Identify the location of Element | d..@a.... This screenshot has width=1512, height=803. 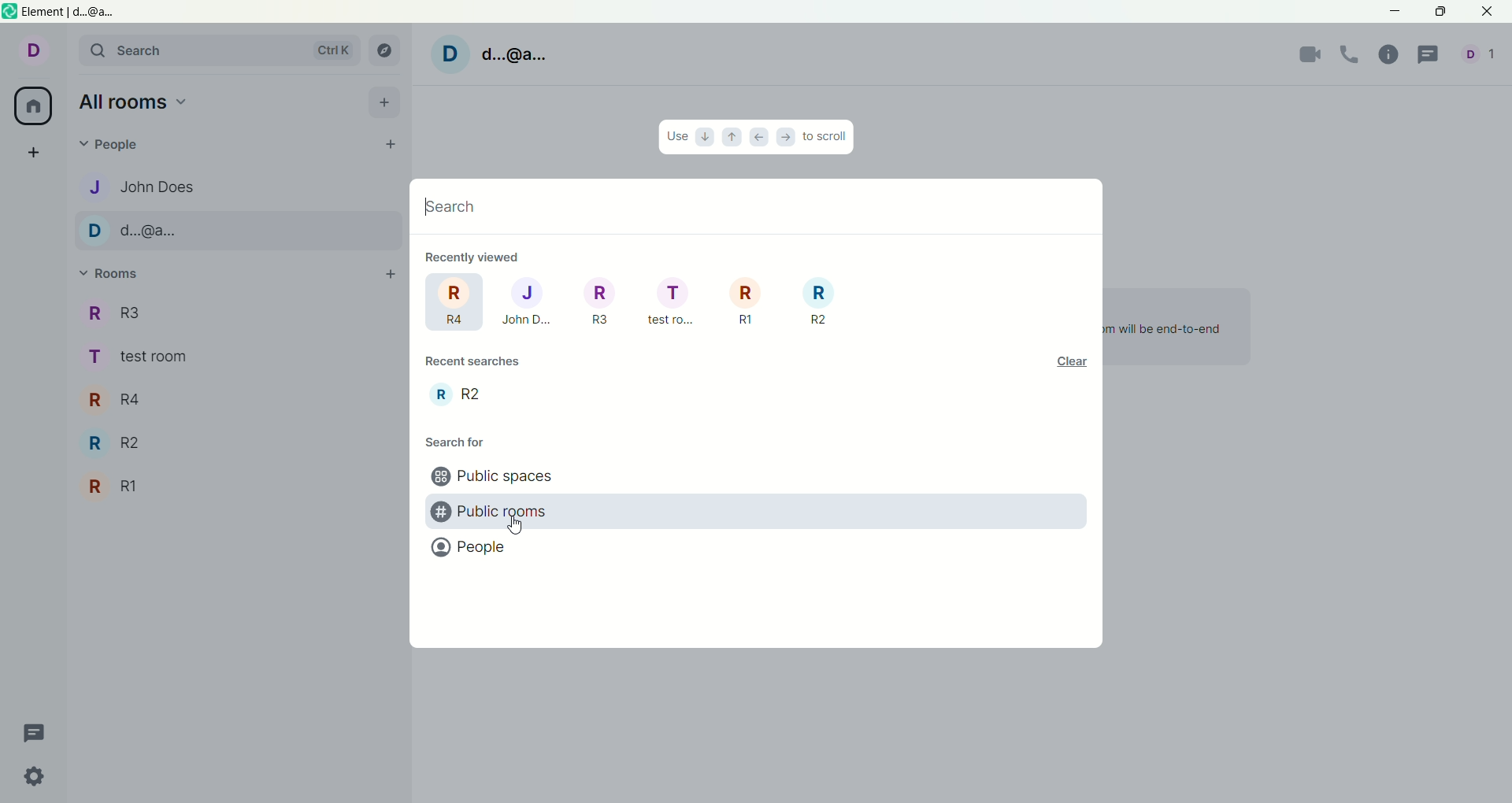
(69, 12).